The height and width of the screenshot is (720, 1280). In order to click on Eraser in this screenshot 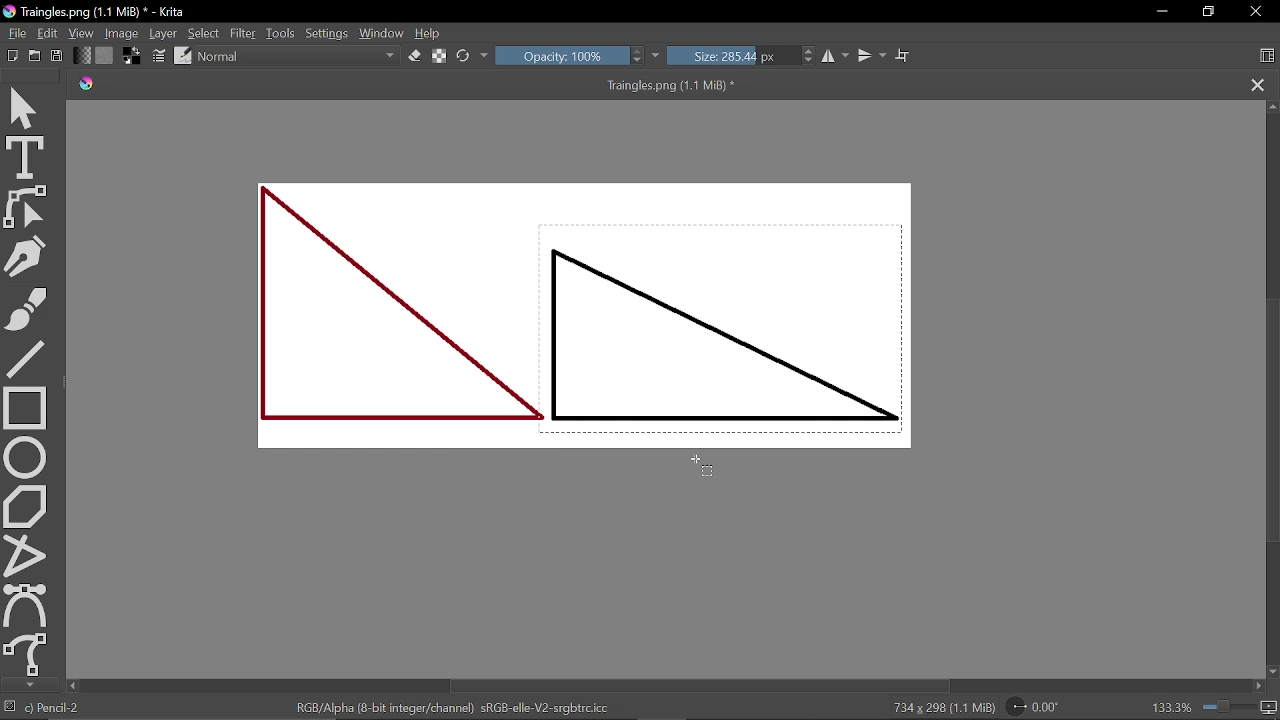, I will do `click(414, 57)`.